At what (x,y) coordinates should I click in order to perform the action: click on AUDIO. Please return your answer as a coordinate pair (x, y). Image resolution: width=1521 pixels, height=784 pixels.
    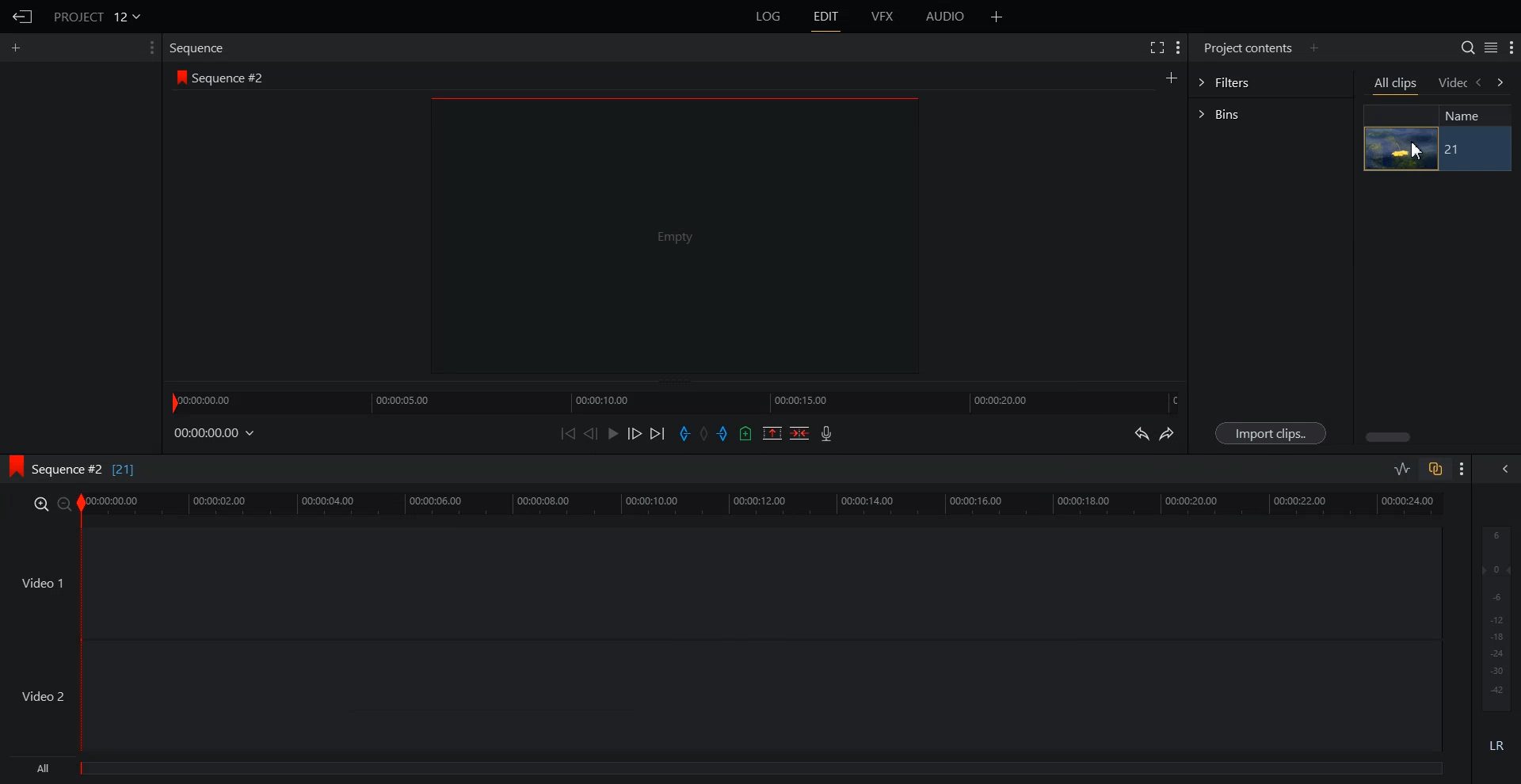
    Looking at the image, I should click on (946, 17).